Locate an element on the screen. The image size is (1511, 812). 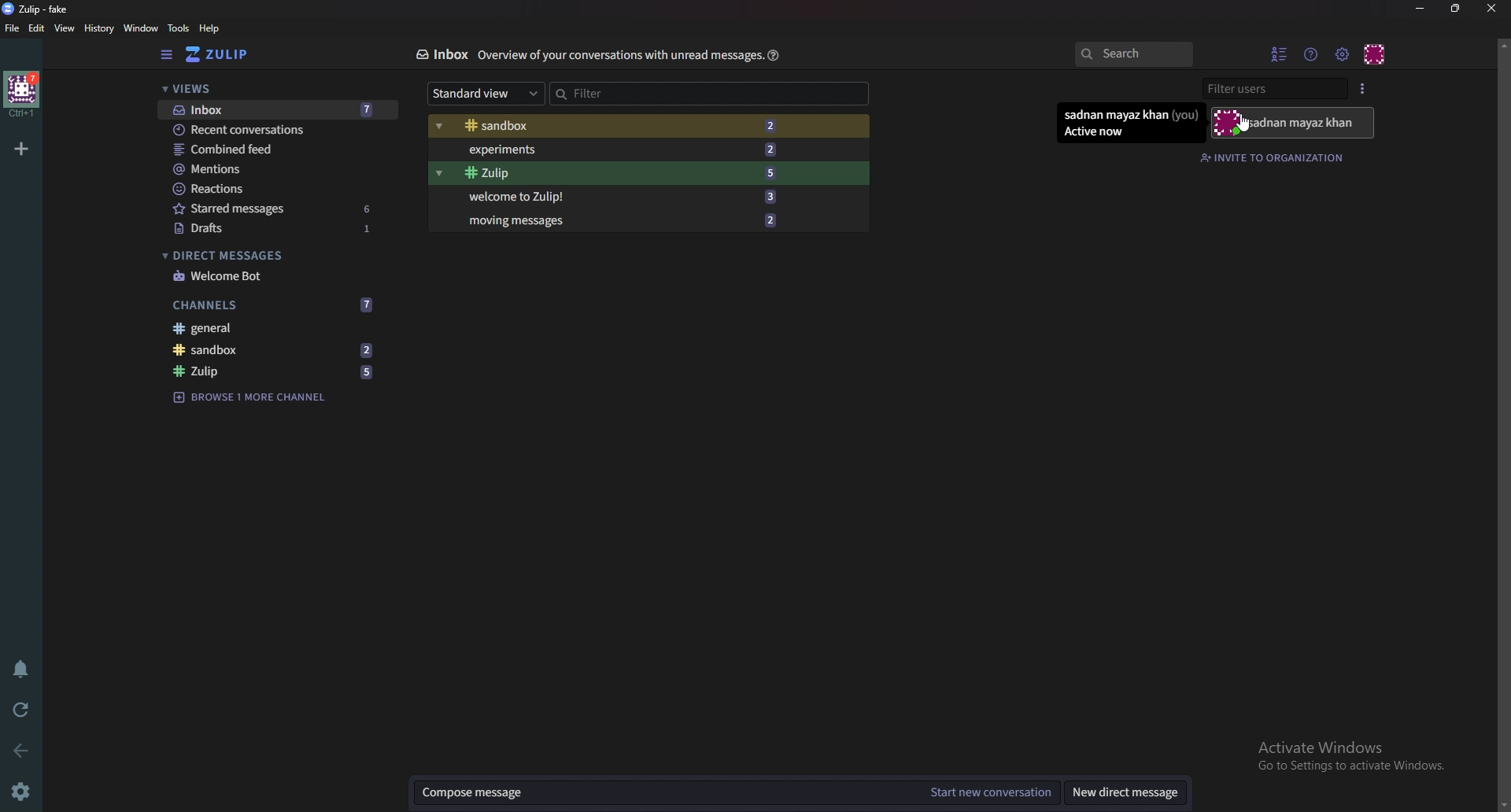
Help menu is located at coordinates (1310, 54).